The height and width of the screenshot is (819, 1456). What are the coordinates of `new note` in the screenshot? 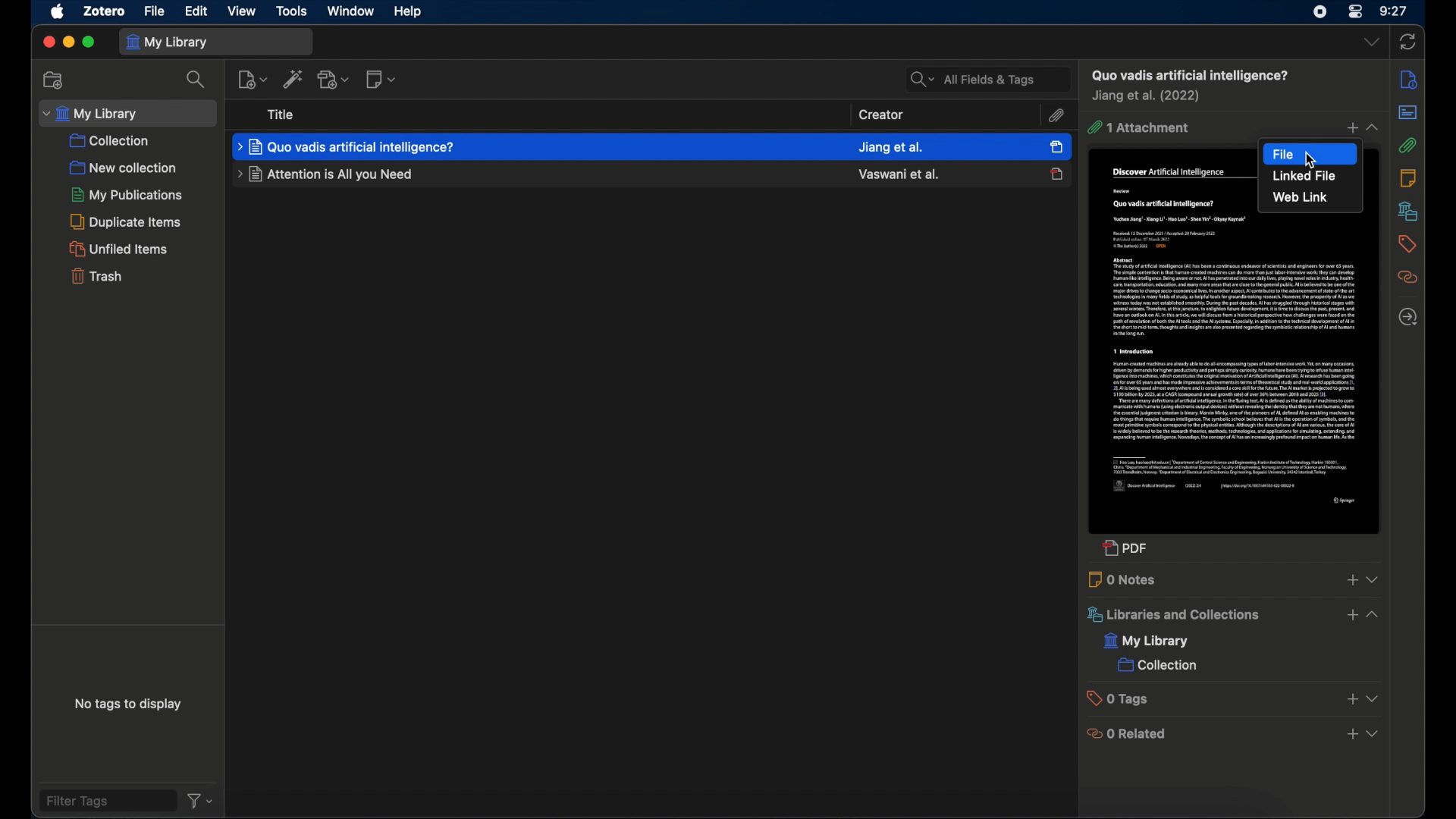 It's located at (382, 80).